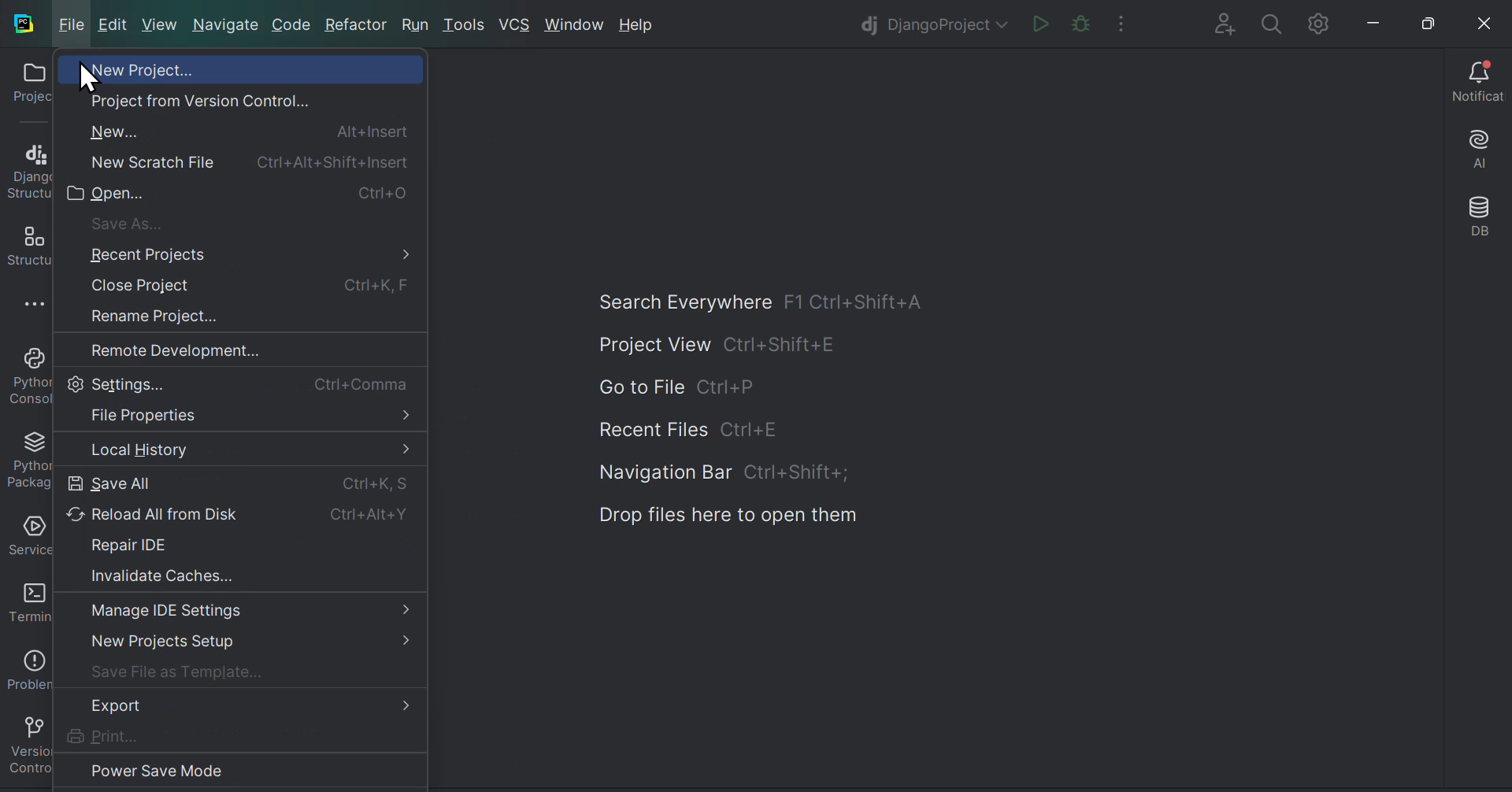 Image resolution: width=1512 pixels, height=792 pixels. Describe the element at coordinates (246, 706) in the screenshot. I see `Export` at that location.